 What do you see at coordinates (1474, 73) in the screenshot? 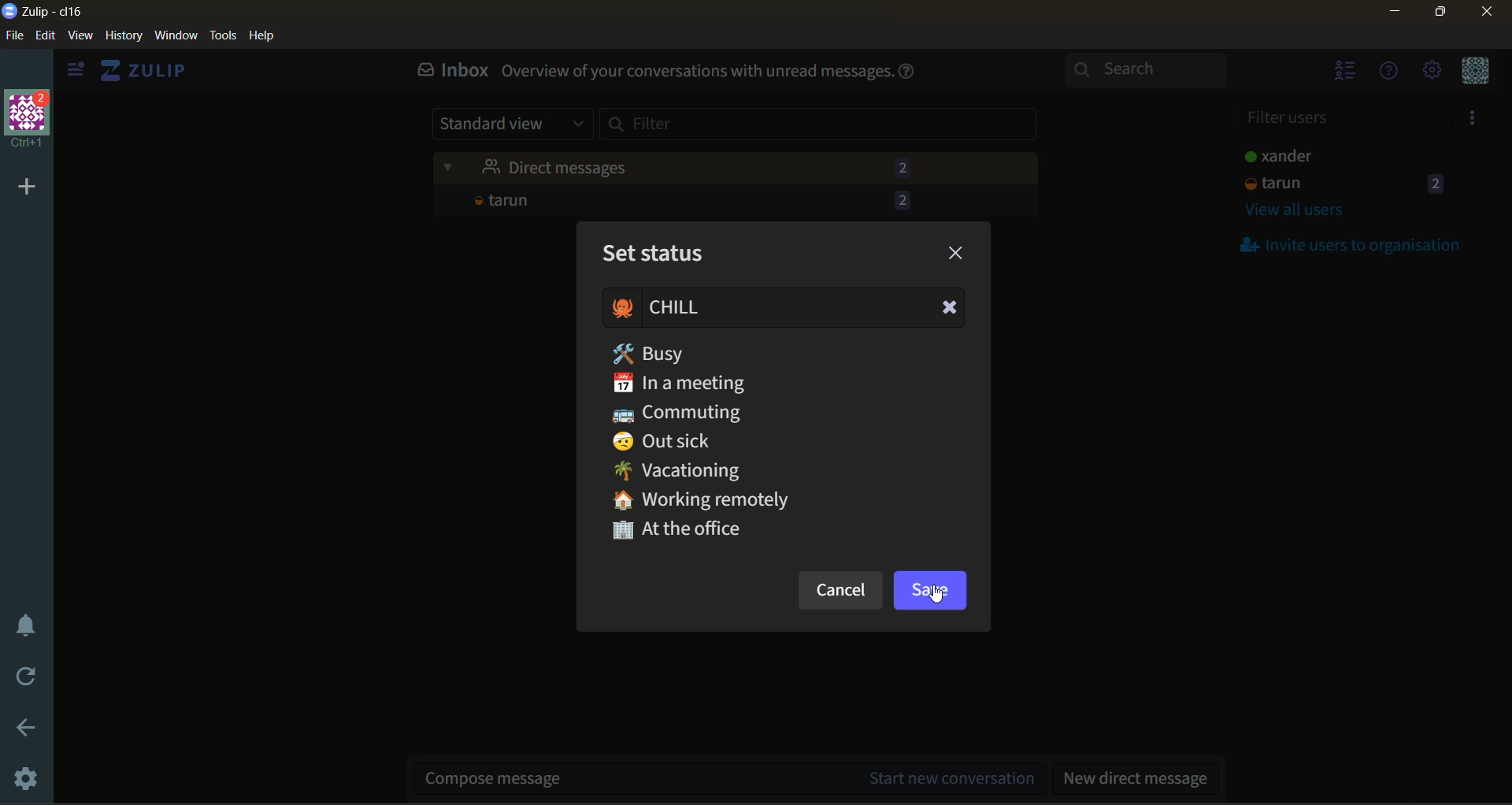
I see `personal menu` at bounding box center [1474, 73].